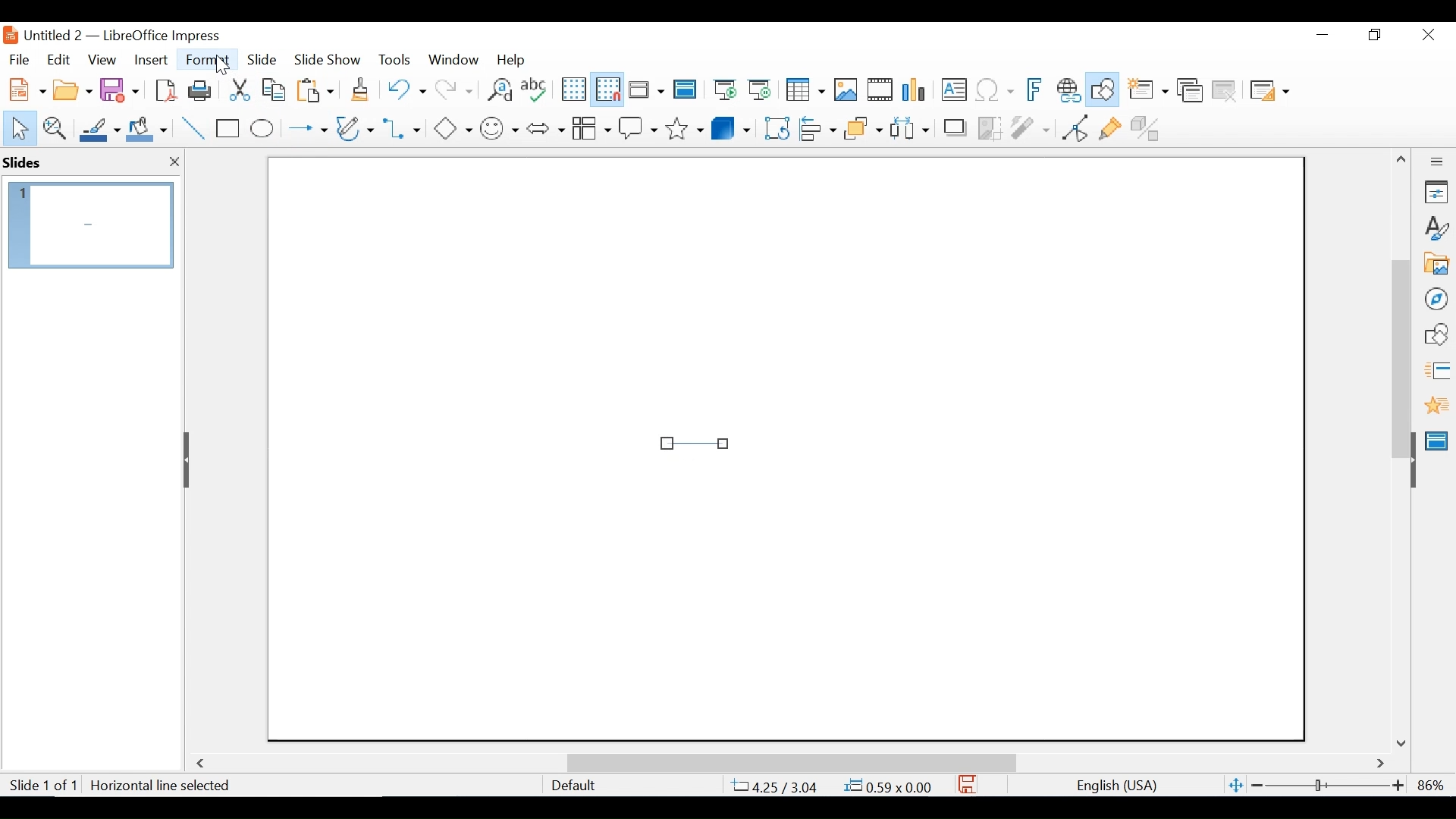 This screenshot has height=819, width=1456. What do you see at coordinates (1381, 764) in the screenshot?
I see `Scroll Right` at bounding box center [1381, 764].